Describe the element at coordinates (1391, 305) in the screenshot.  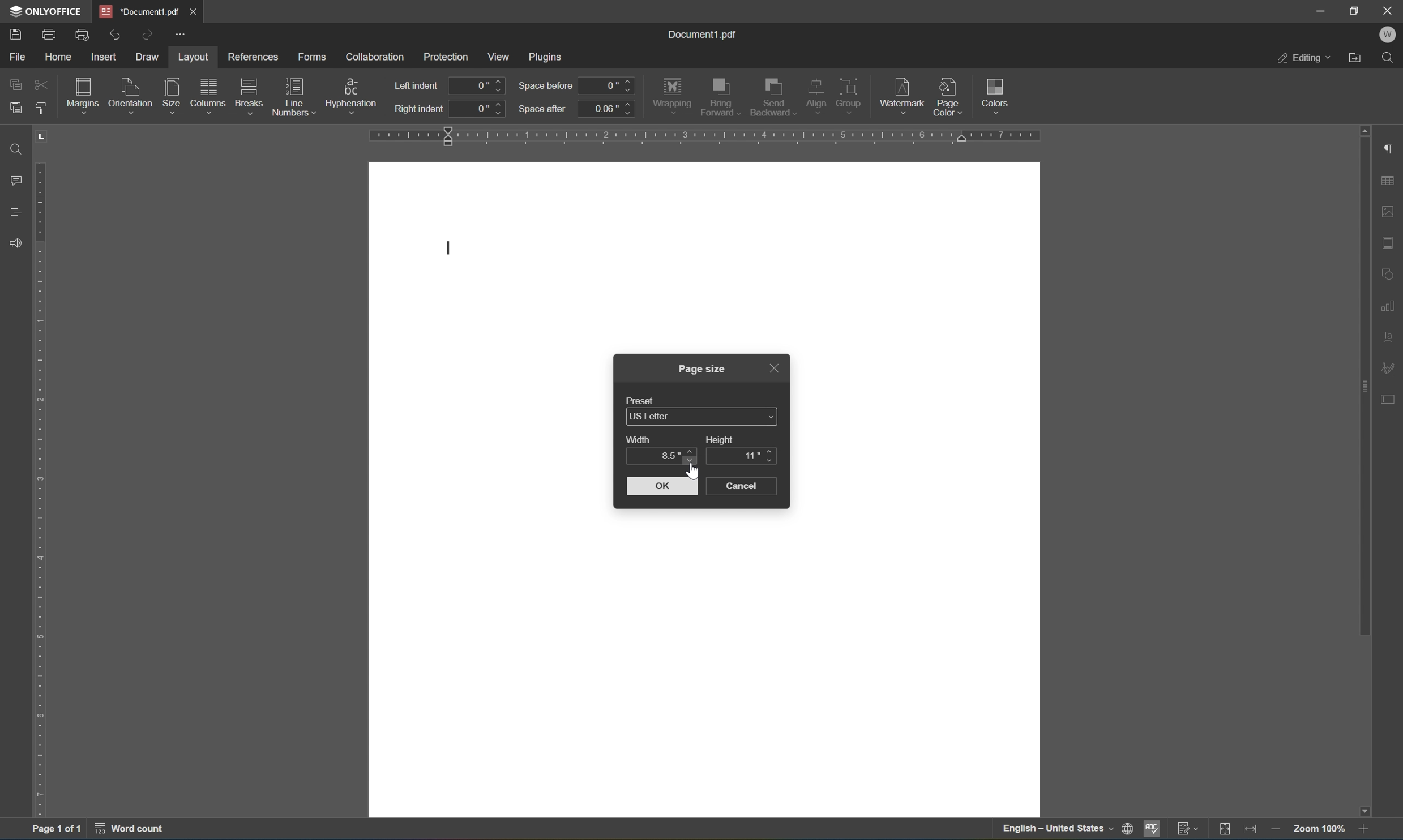
I see `chart settings` at that location.